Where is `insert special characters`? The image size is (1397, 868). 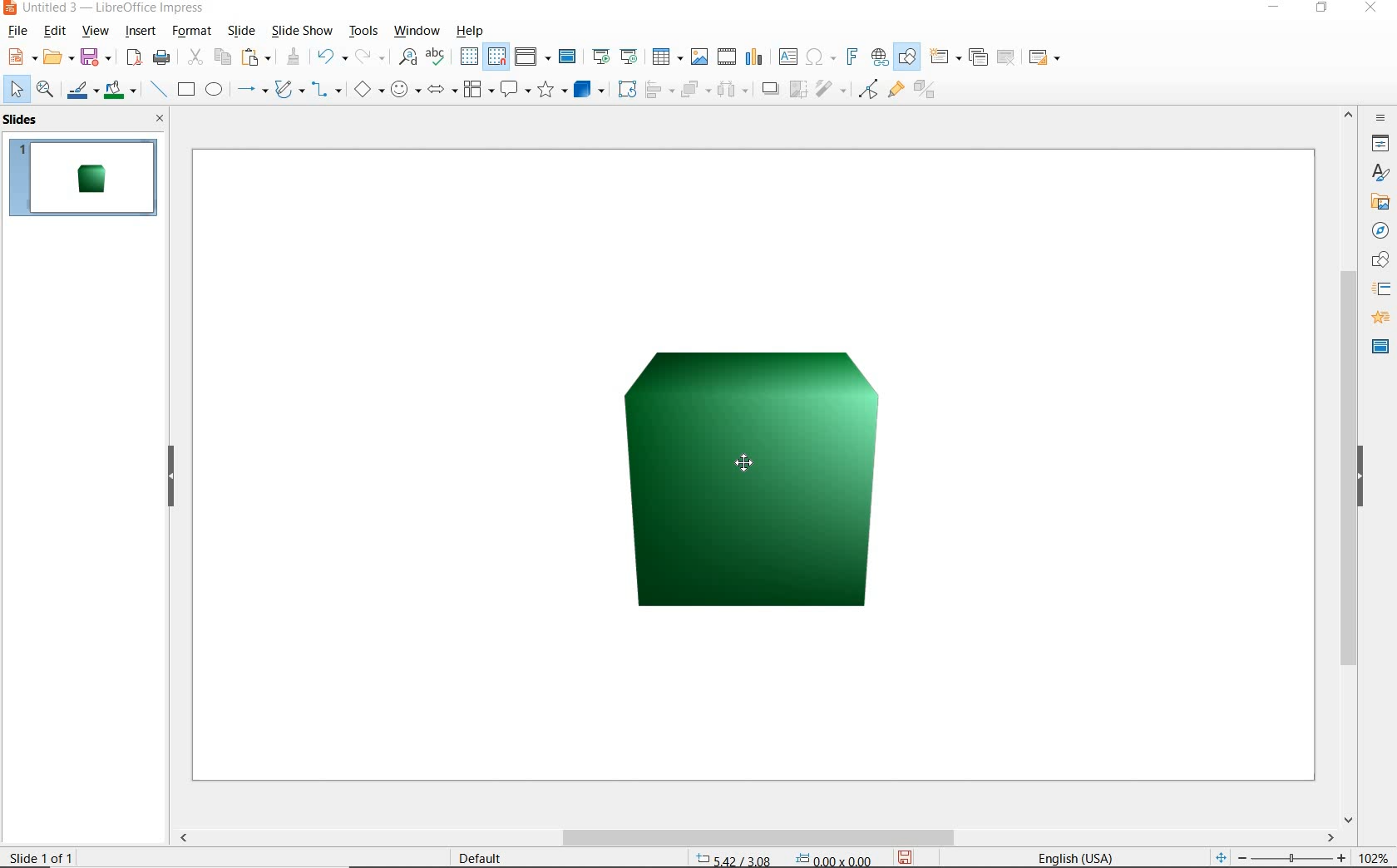 insert special characters is located at coordinates (822, 57).